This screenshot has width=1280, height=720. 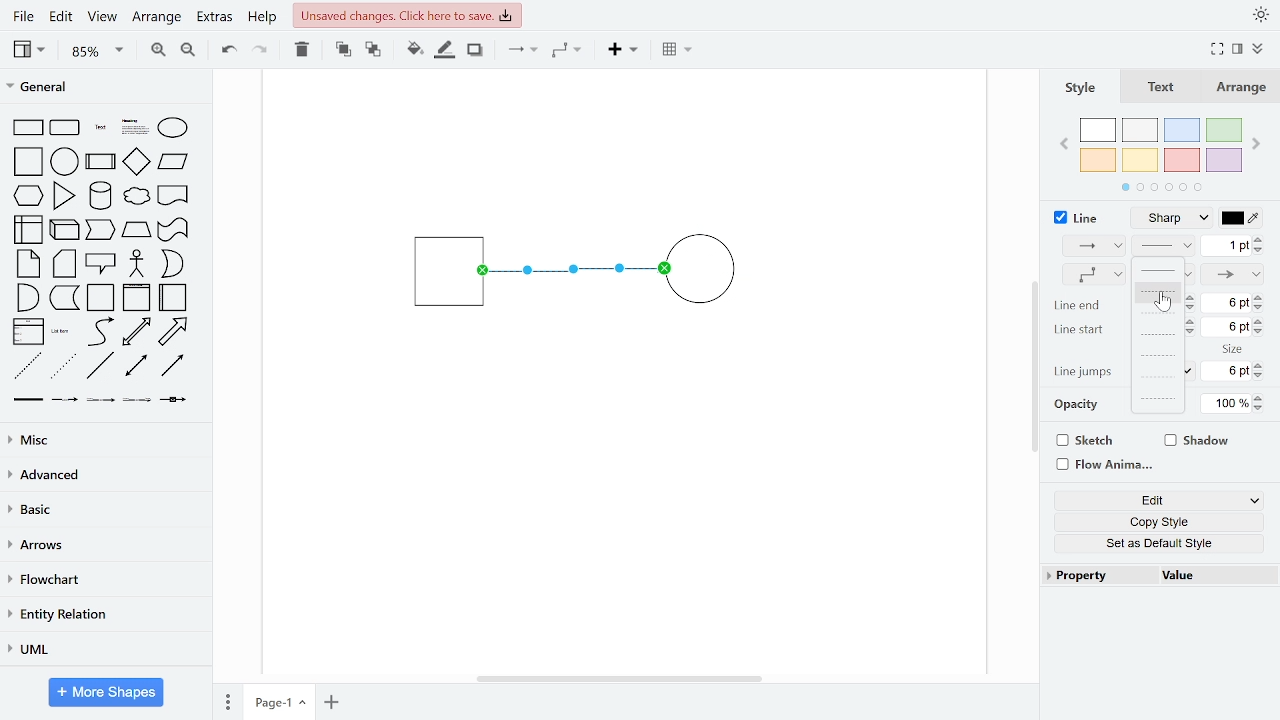 What do you see at coordinates (1260, 50) in the screenshot?
I see `collapse` at bounding box center [1260, 50].